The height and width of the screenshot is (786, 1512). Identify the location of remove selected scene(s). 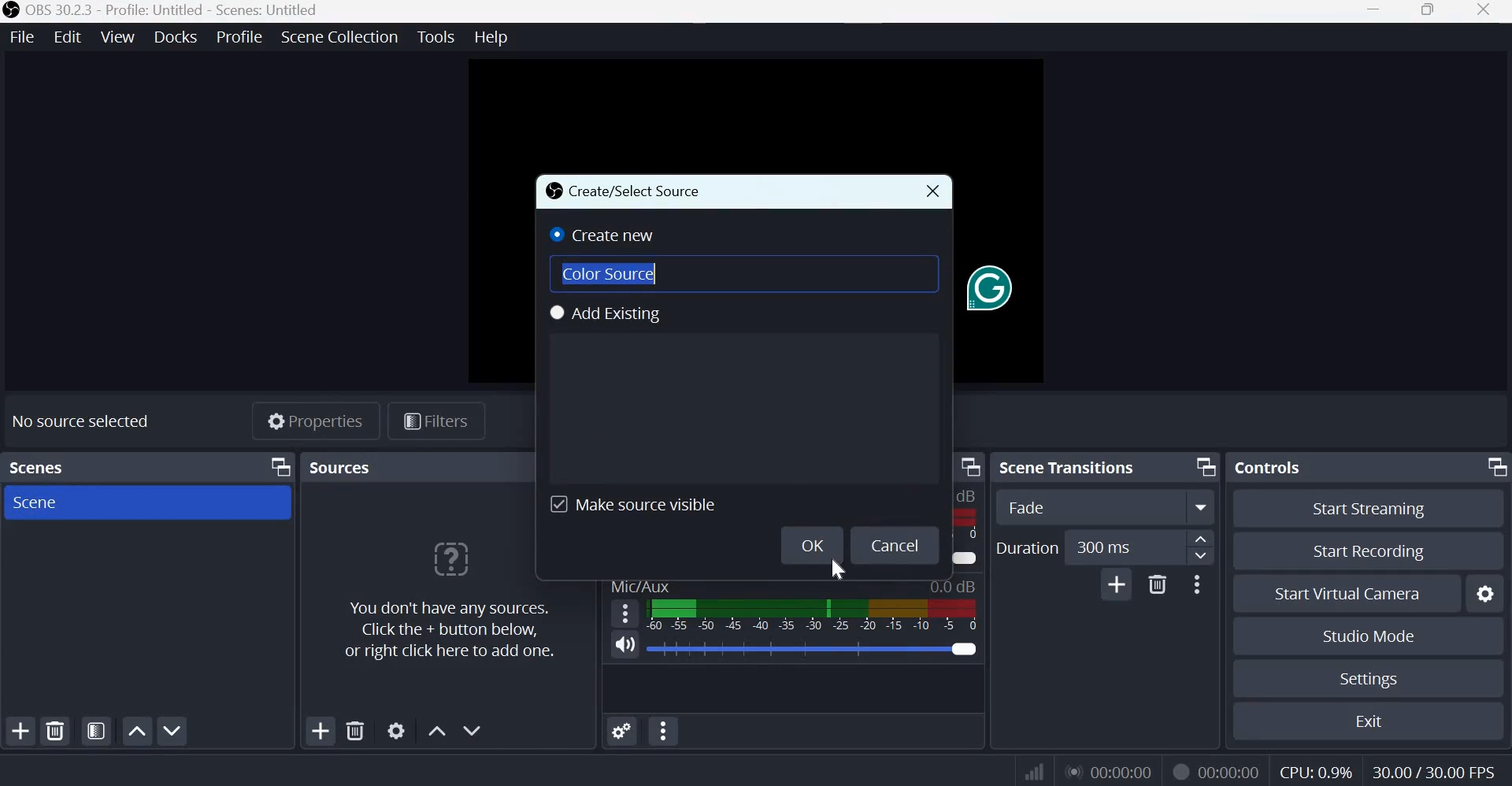
(58, 731).